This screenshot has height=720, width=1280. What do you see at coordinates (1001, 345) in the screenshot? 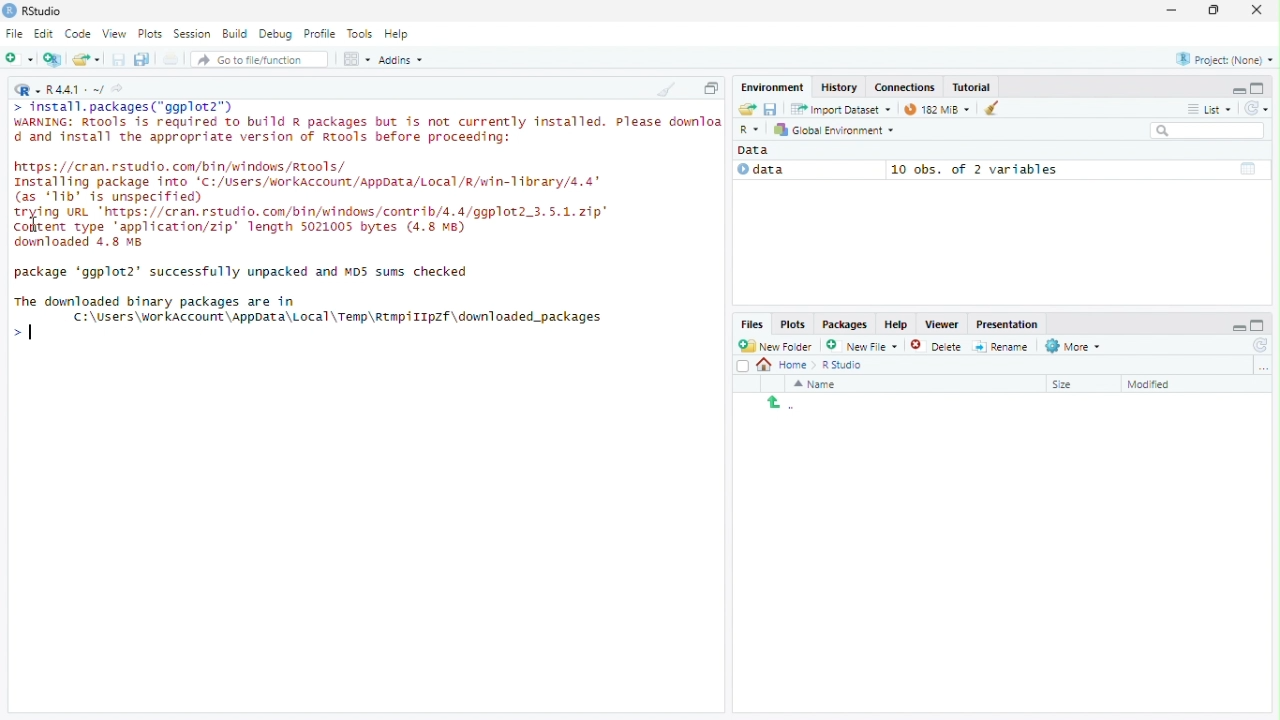
I see `Rename selected file/folder` at bounding box center [1001, 345].